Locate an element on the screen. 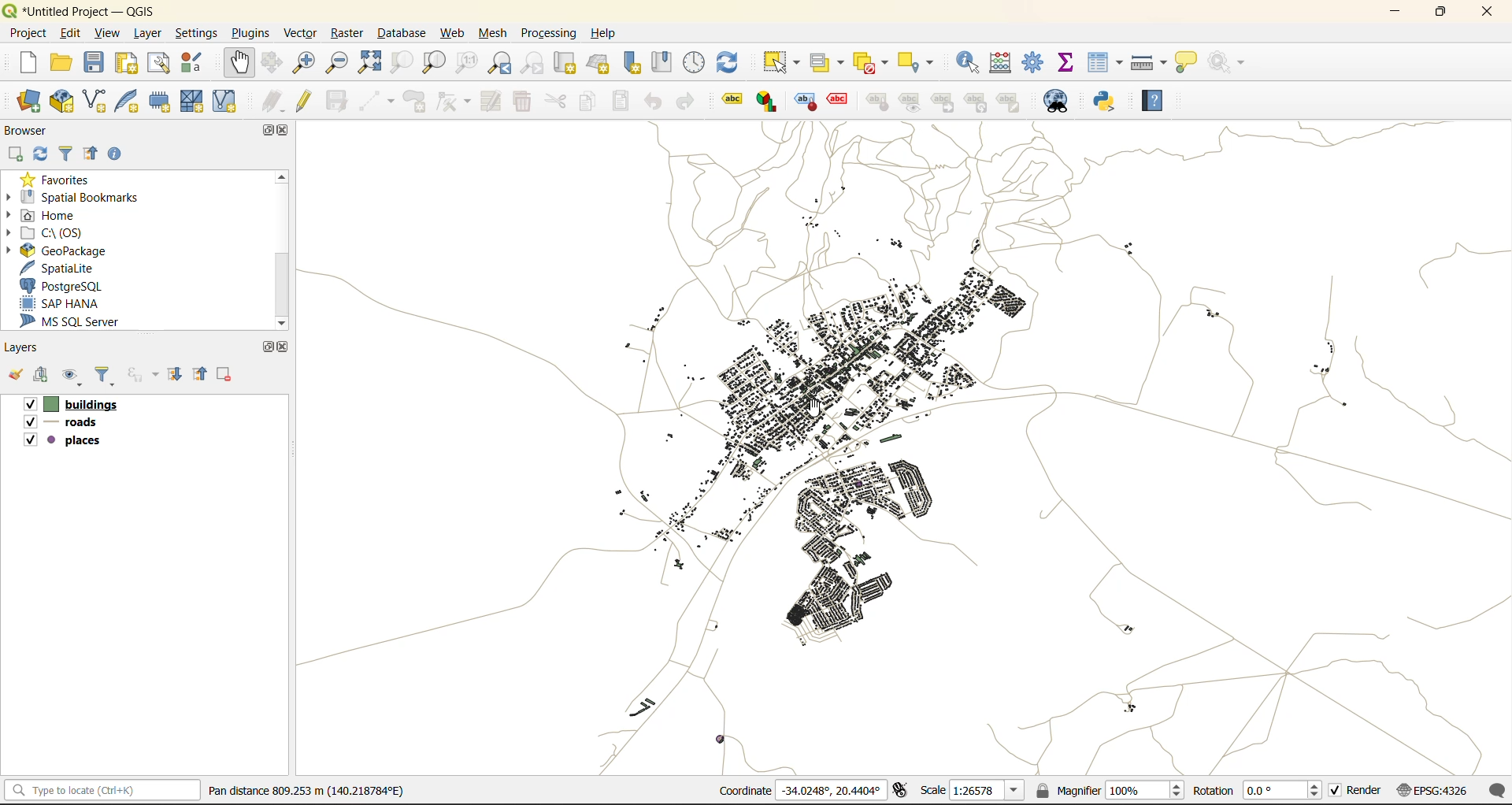 Image resolution: width=1512 pixels, height=805 pixels. Preview is located at coordinates (913, 102).